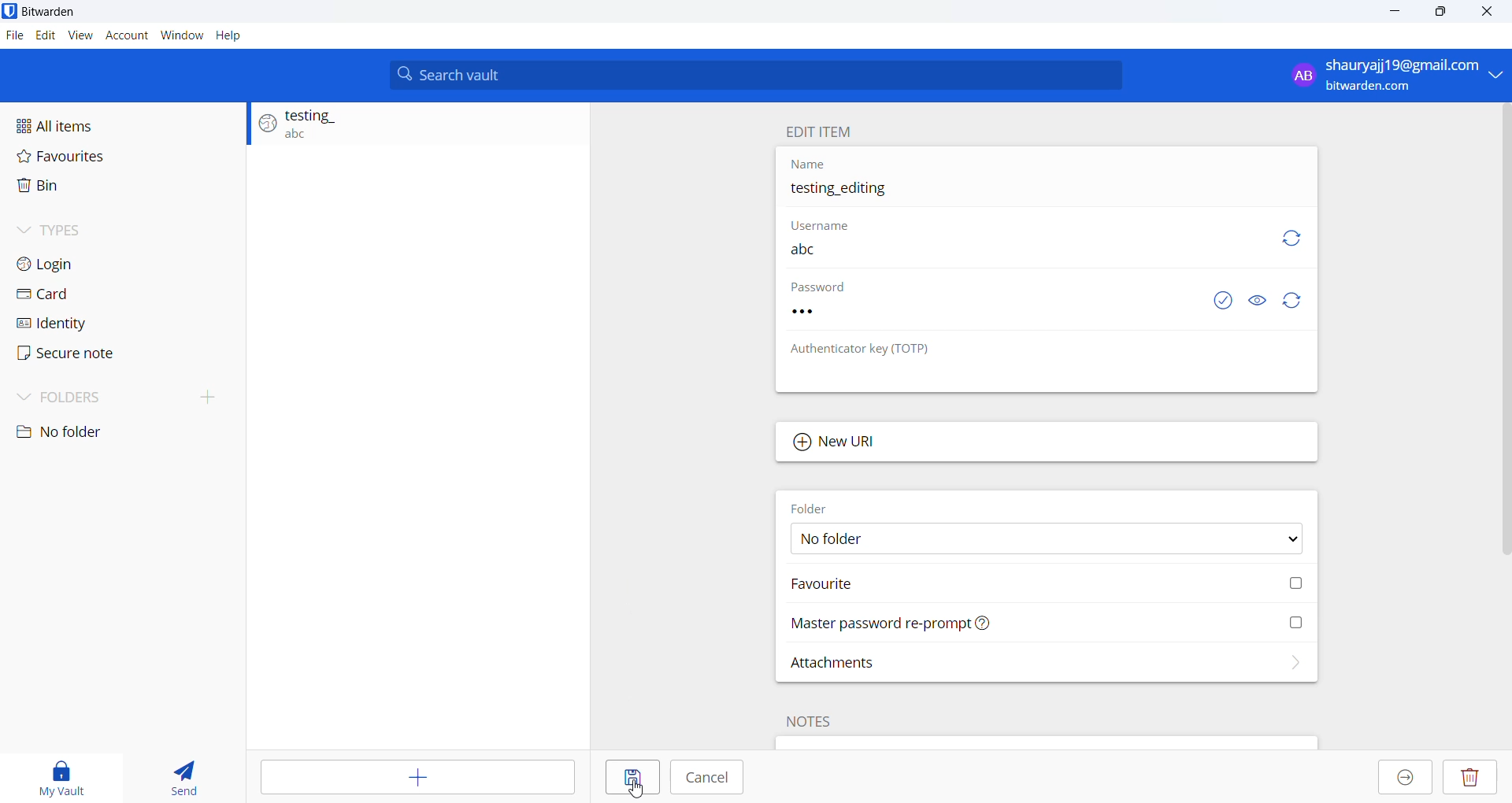  I want to click on minimize, so click(1392, 17).